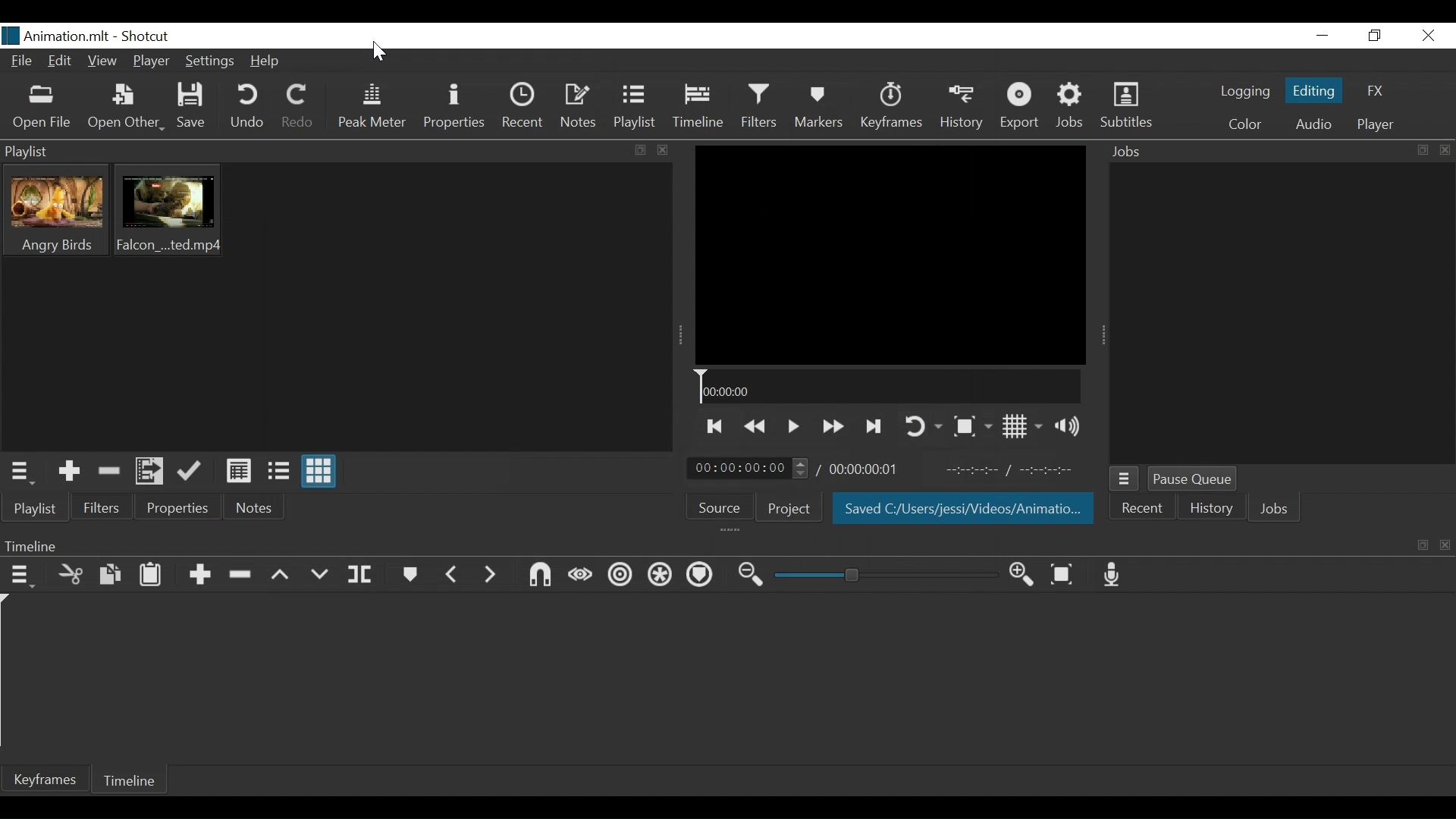 The width and height of the screenshot is (1456, 819). Describe the element at coordinates (70, 472) in the screenshot. I see `Add the Source to the playlist` at that location.